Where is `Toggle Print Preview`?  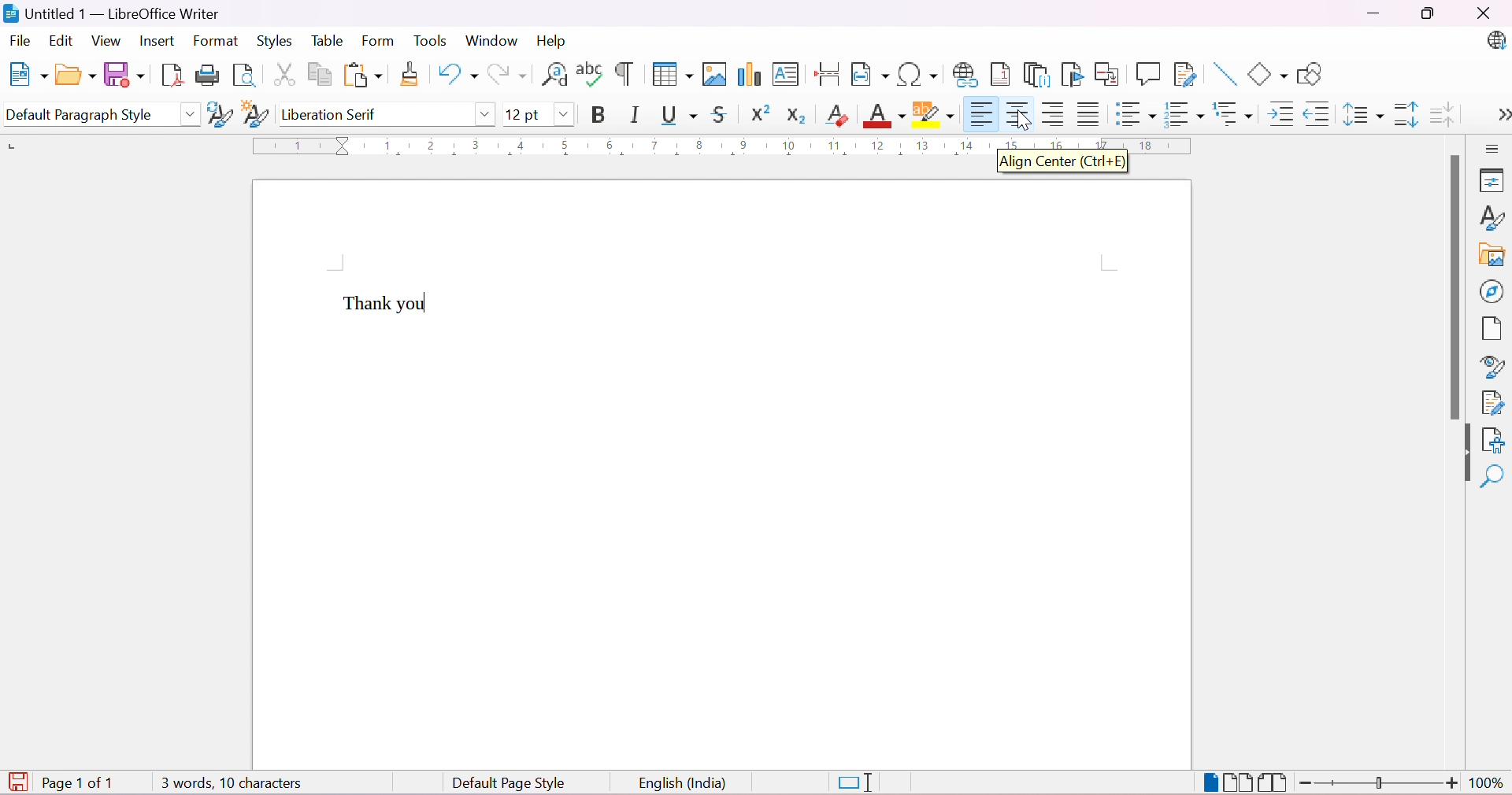
Toggle Print Preview is located at coordinates (244, 76).